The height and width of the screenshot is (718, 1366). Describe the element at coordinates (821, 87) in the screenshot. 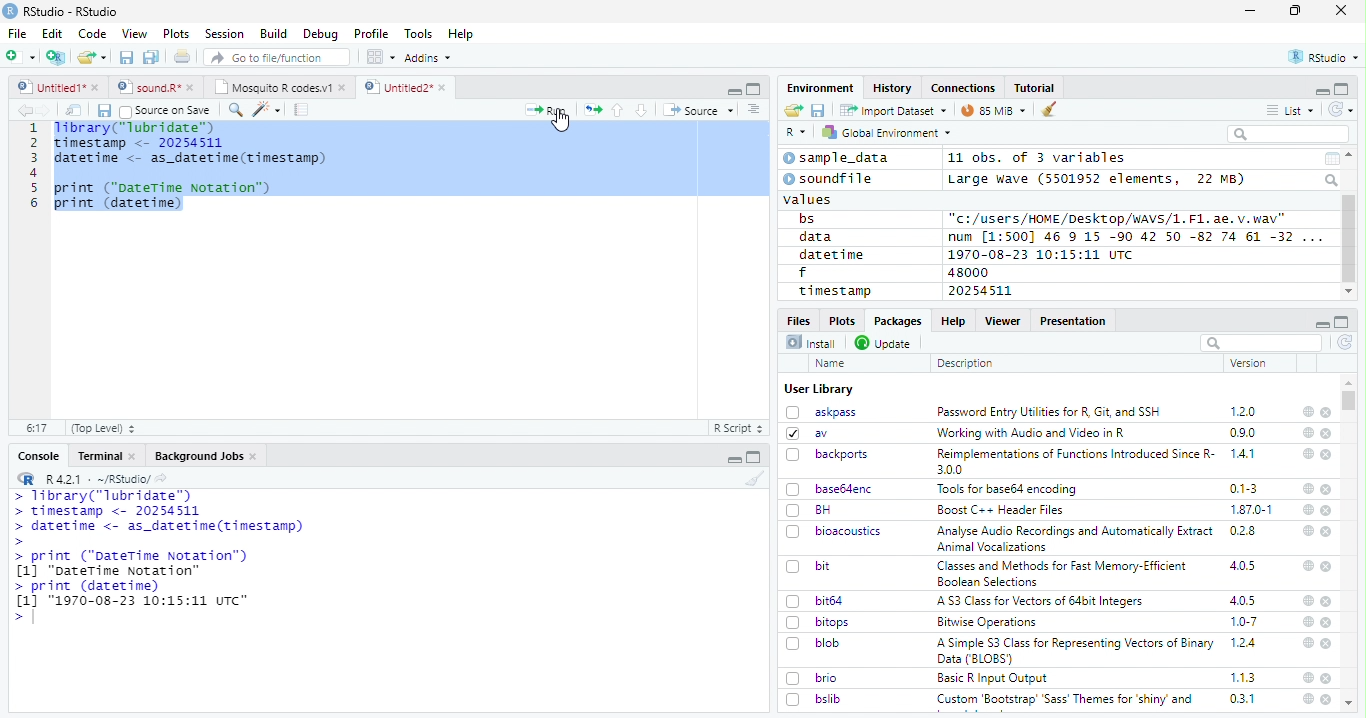

I see `Environment` at that location.